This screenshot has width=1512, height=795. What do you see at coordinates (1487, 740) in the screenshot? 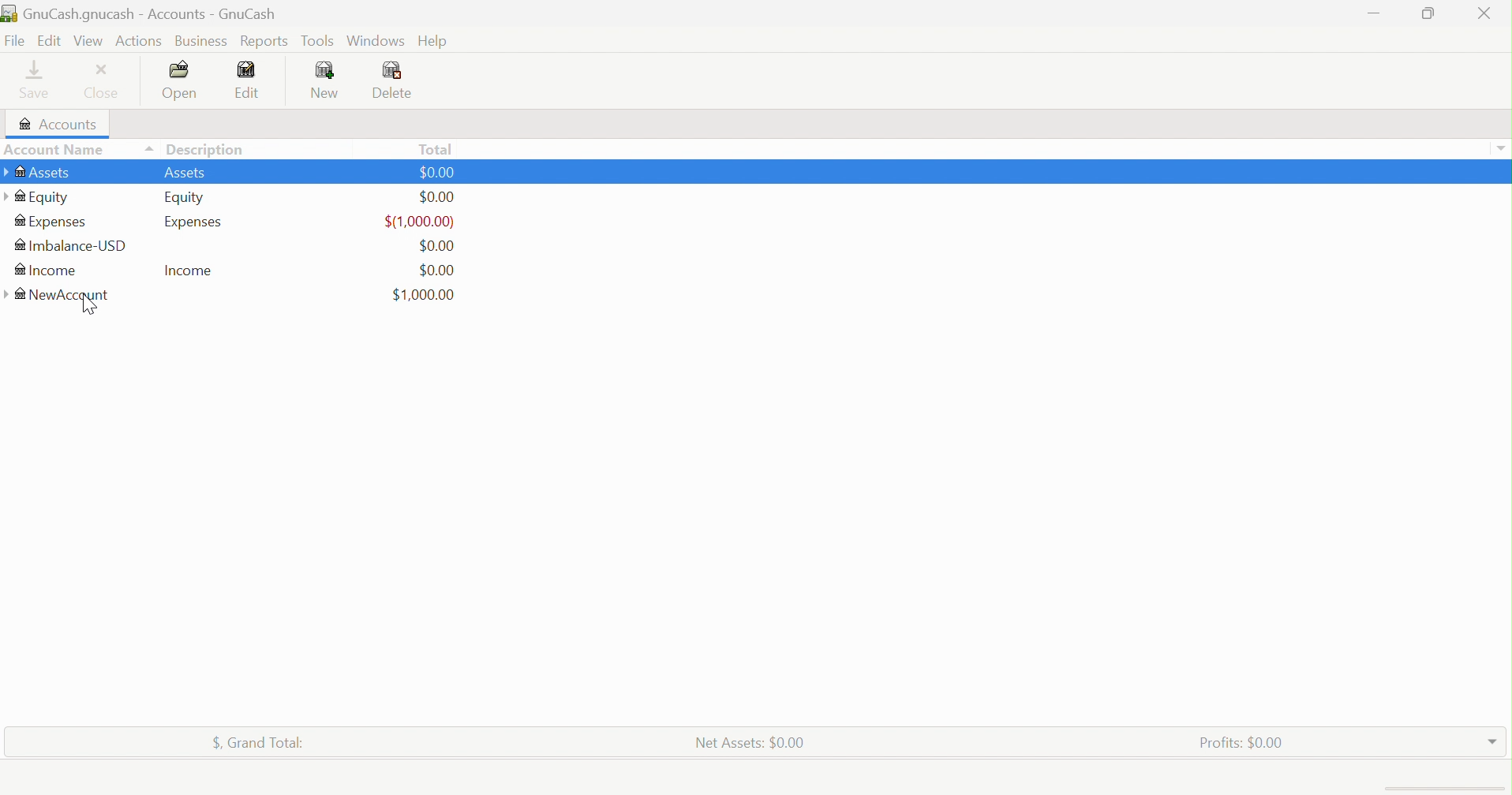
I see `Drop Down` at bounding box center [1487, 740].